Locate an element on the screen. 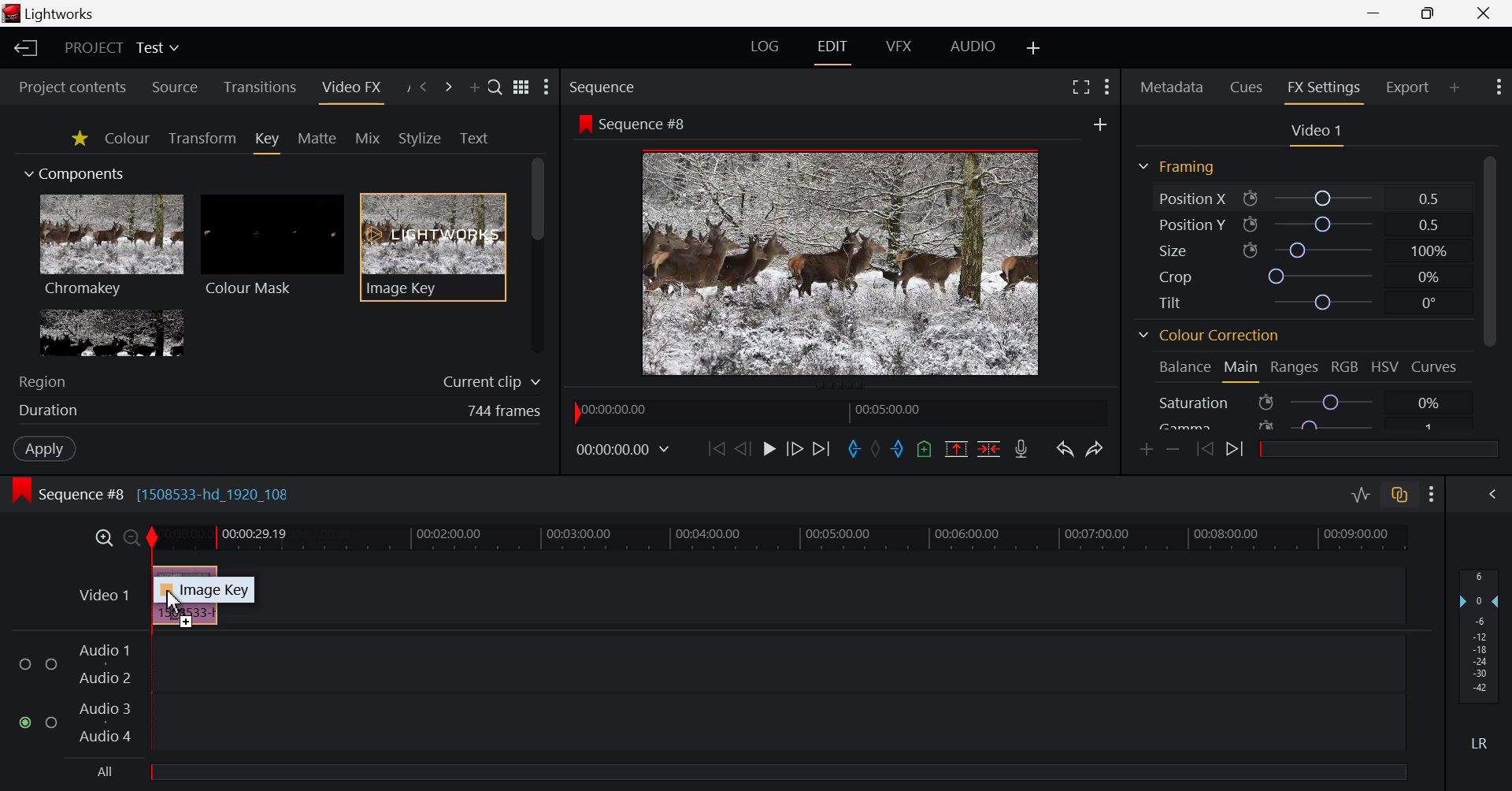 This screenshot has height=791, width=1512. checkbox is located at coordinates (24, 663).